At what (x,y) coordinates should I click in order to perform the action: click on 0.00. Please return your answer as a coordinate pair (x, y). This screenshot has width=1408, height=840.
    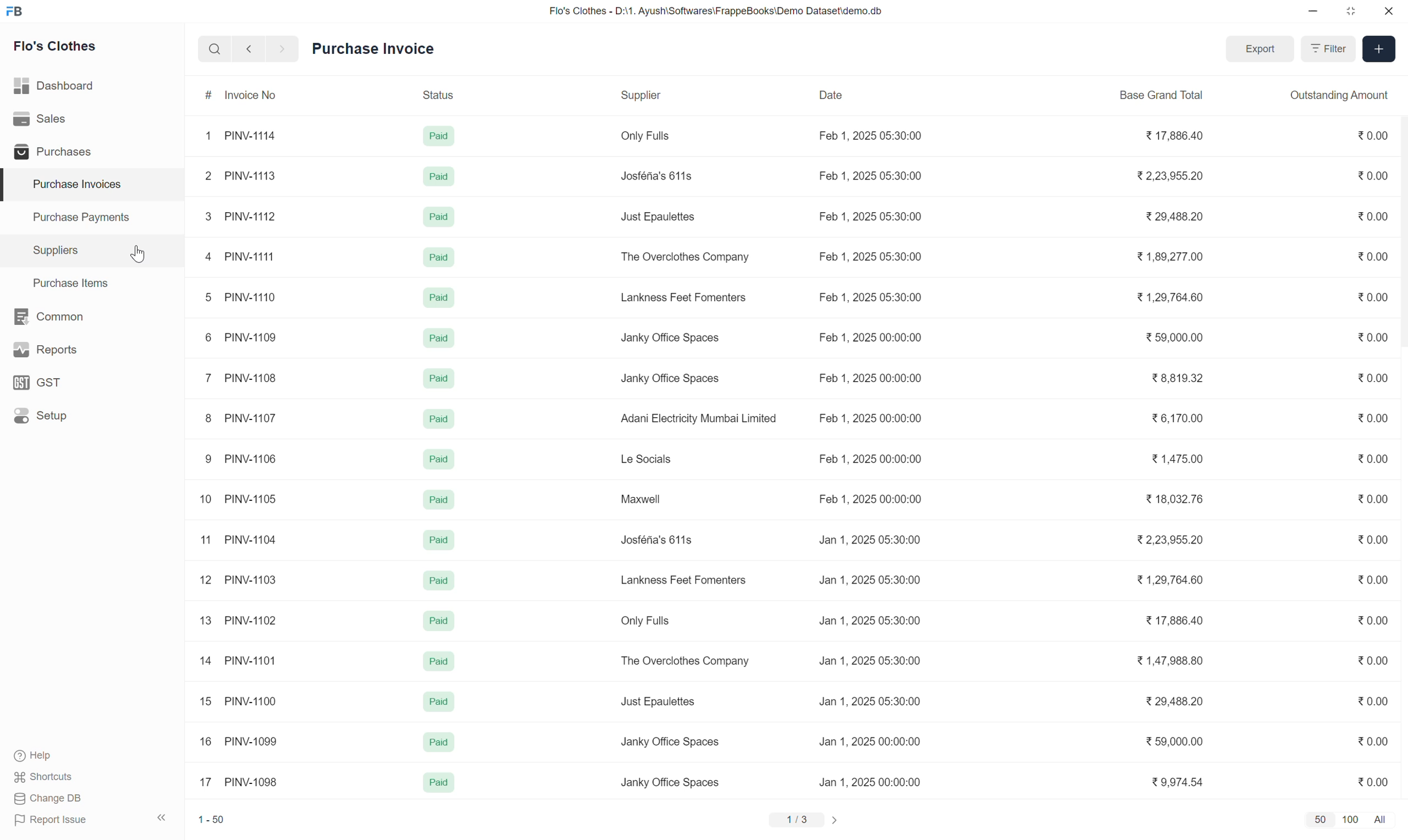
    Looking at the image, I should click on (1371, 781).